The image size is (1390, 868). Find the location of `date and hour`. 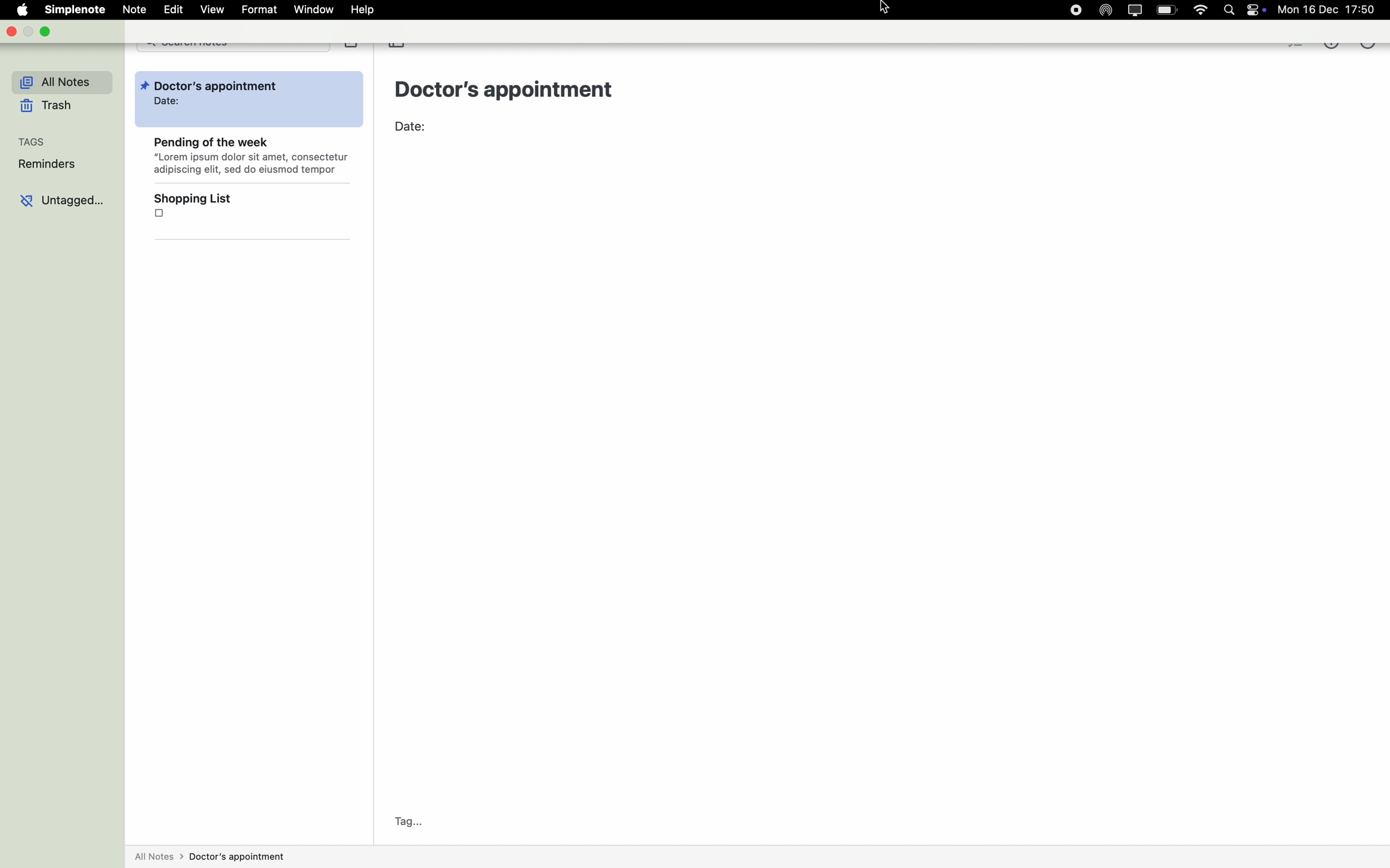

date and hour is located at coordinates (1334, 9).